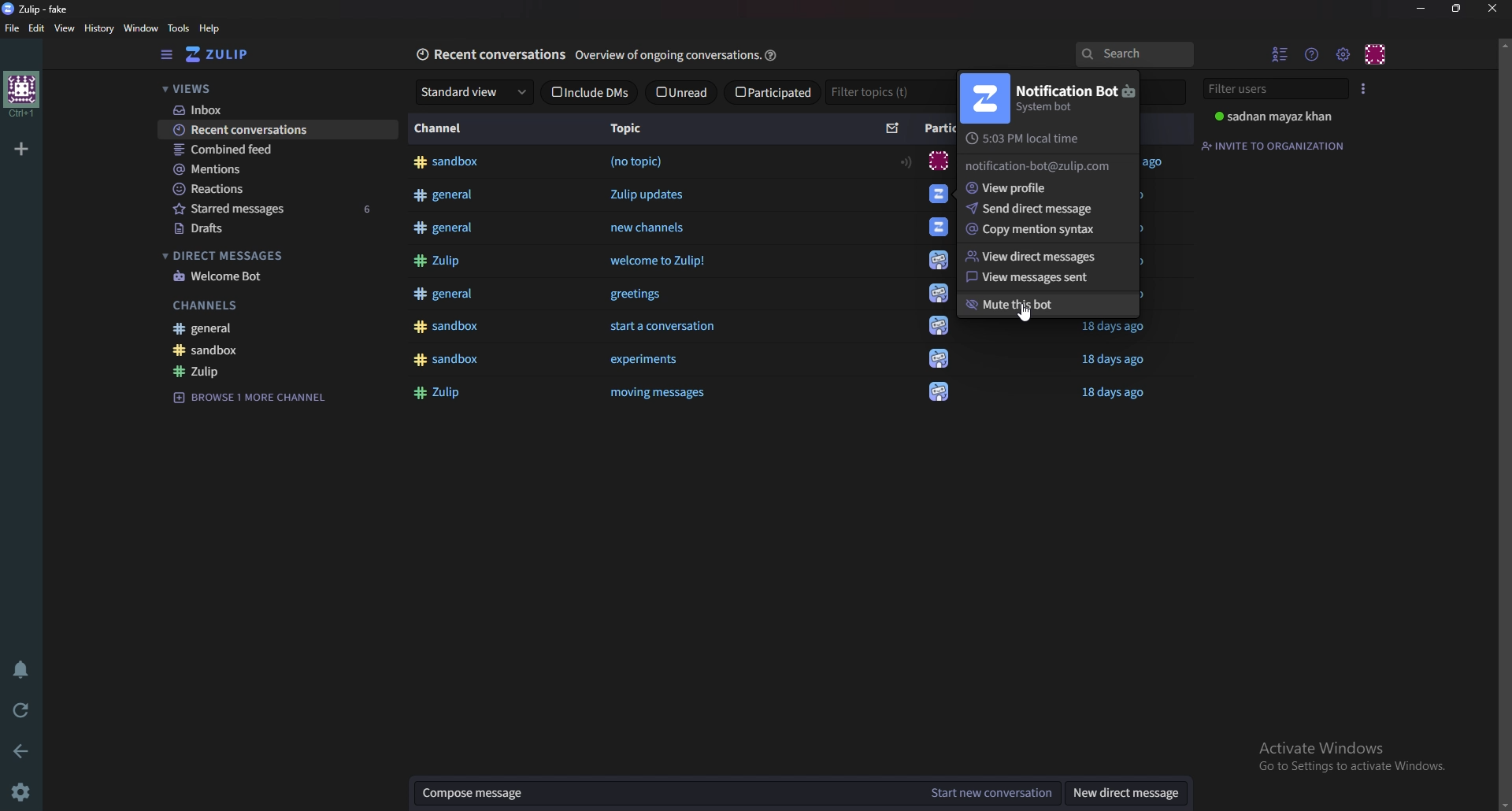 The width and height of the screenshot is (1512, 811). Describe the element at coordinates (15, 28) in the screenshot. I see `file` at that location.